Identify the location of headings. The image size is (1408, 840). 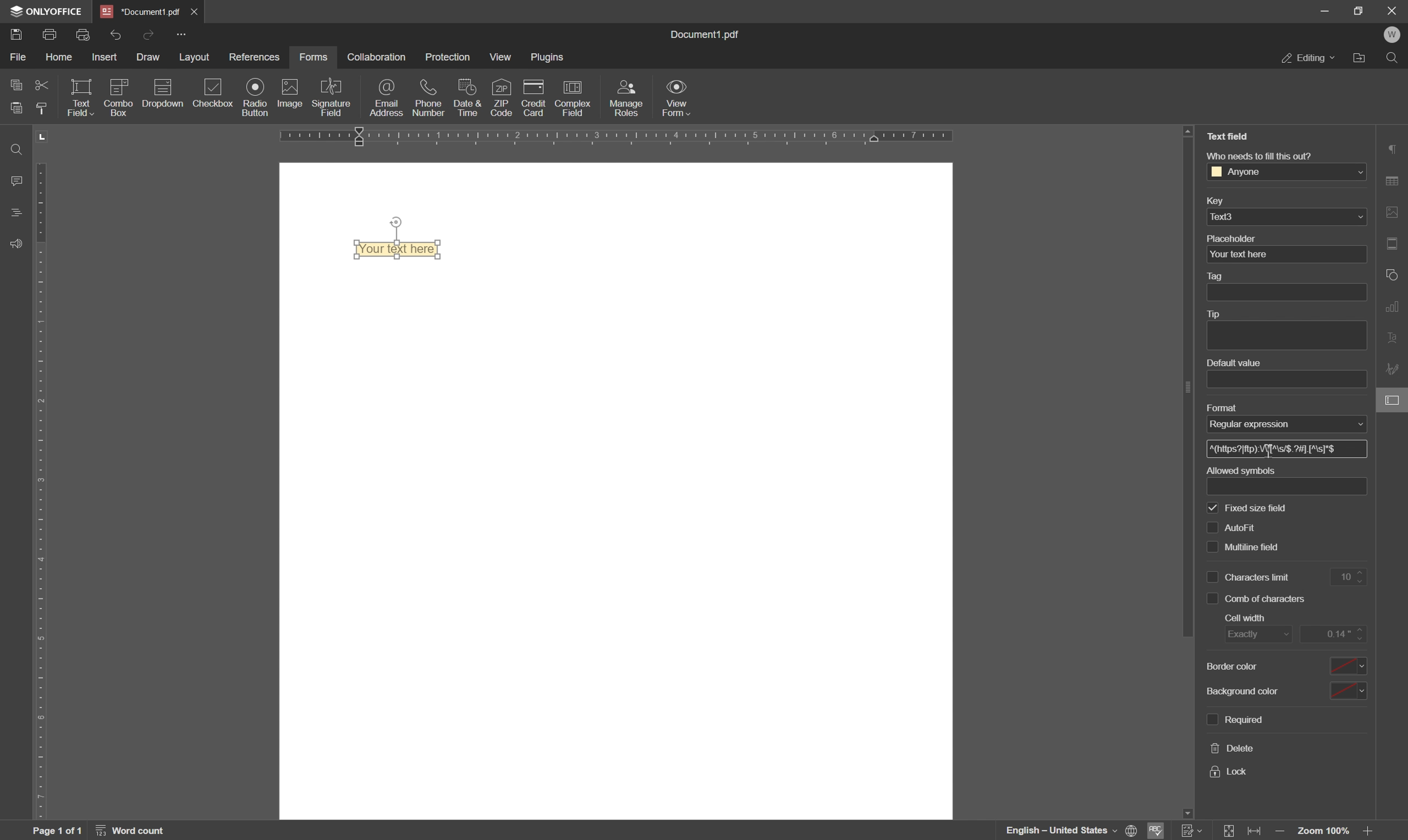
(13, 213).